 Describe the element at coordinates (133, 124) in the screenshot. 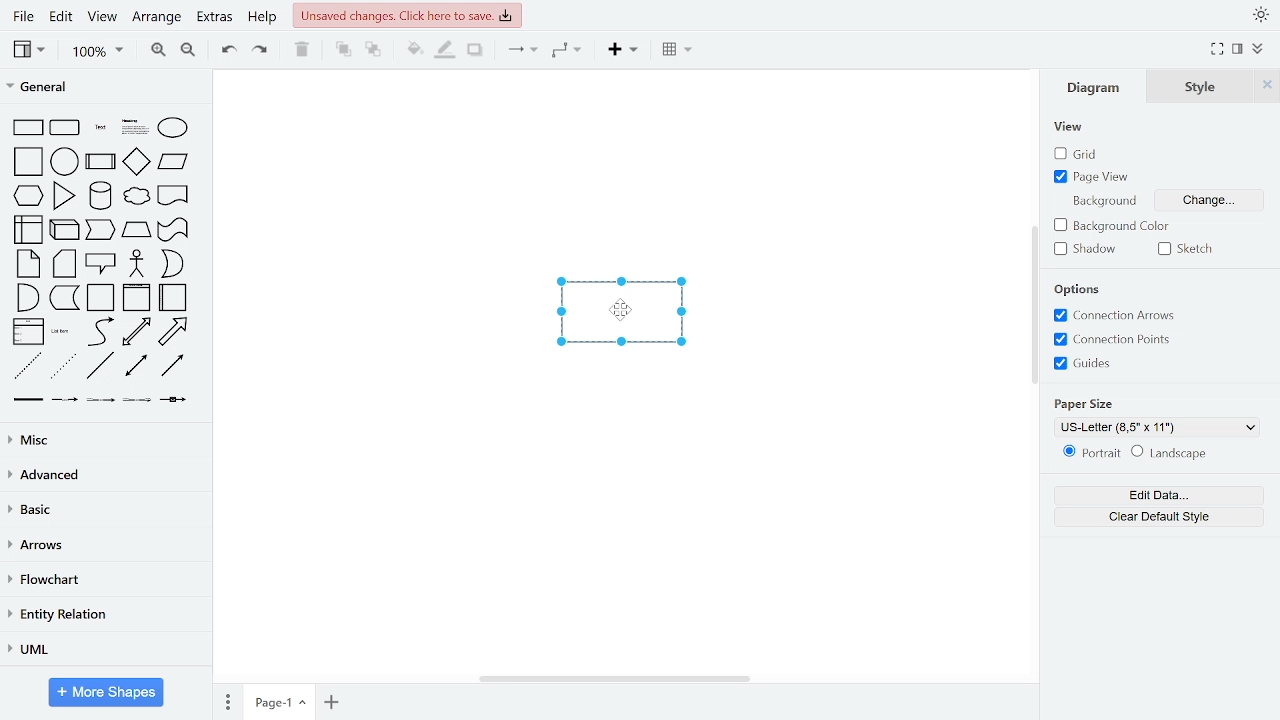

I see `general shapes` at that location.